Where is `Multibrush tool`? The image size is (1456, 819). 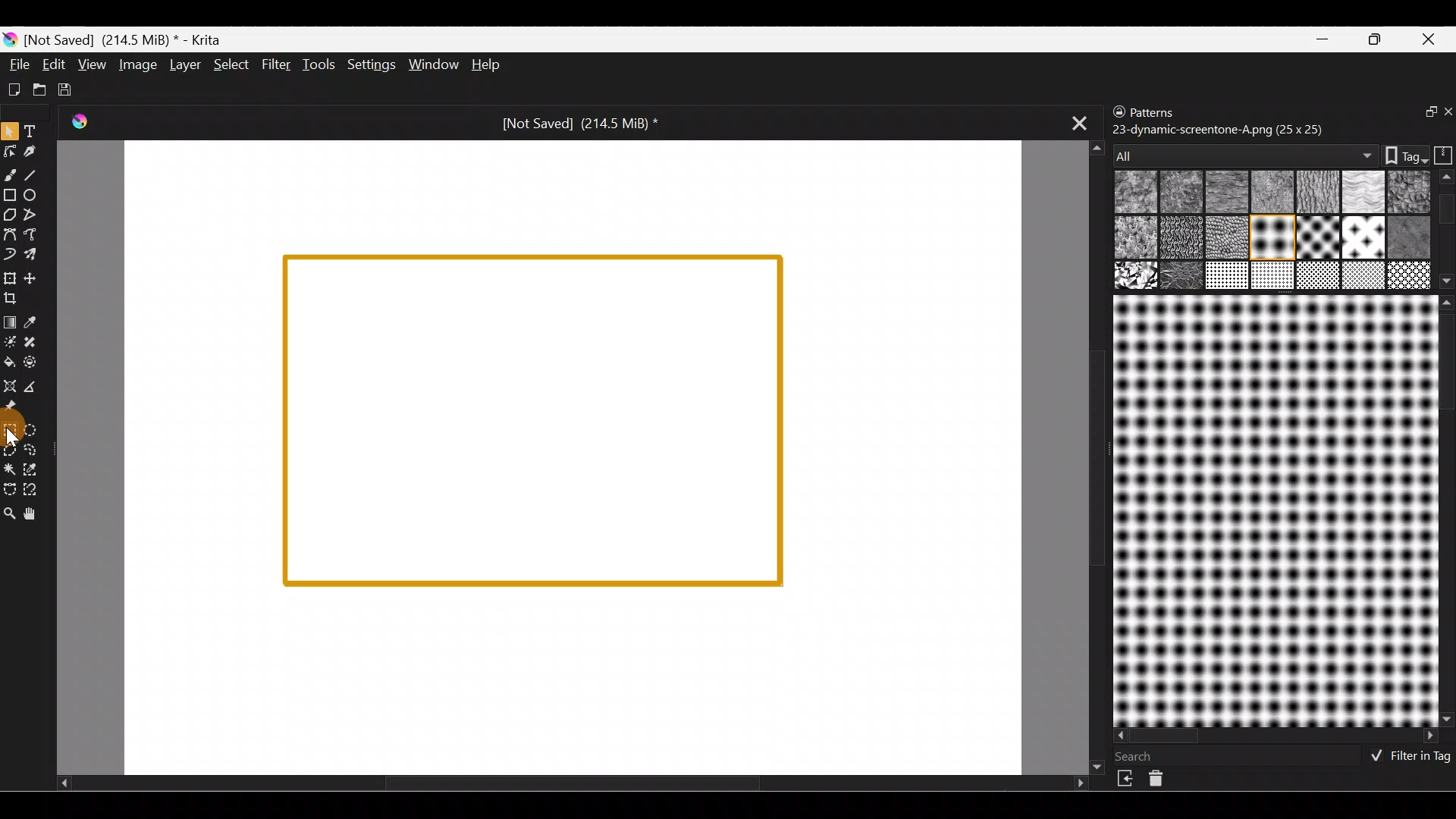
Multibrush tool is located at coordinates (36, 256).